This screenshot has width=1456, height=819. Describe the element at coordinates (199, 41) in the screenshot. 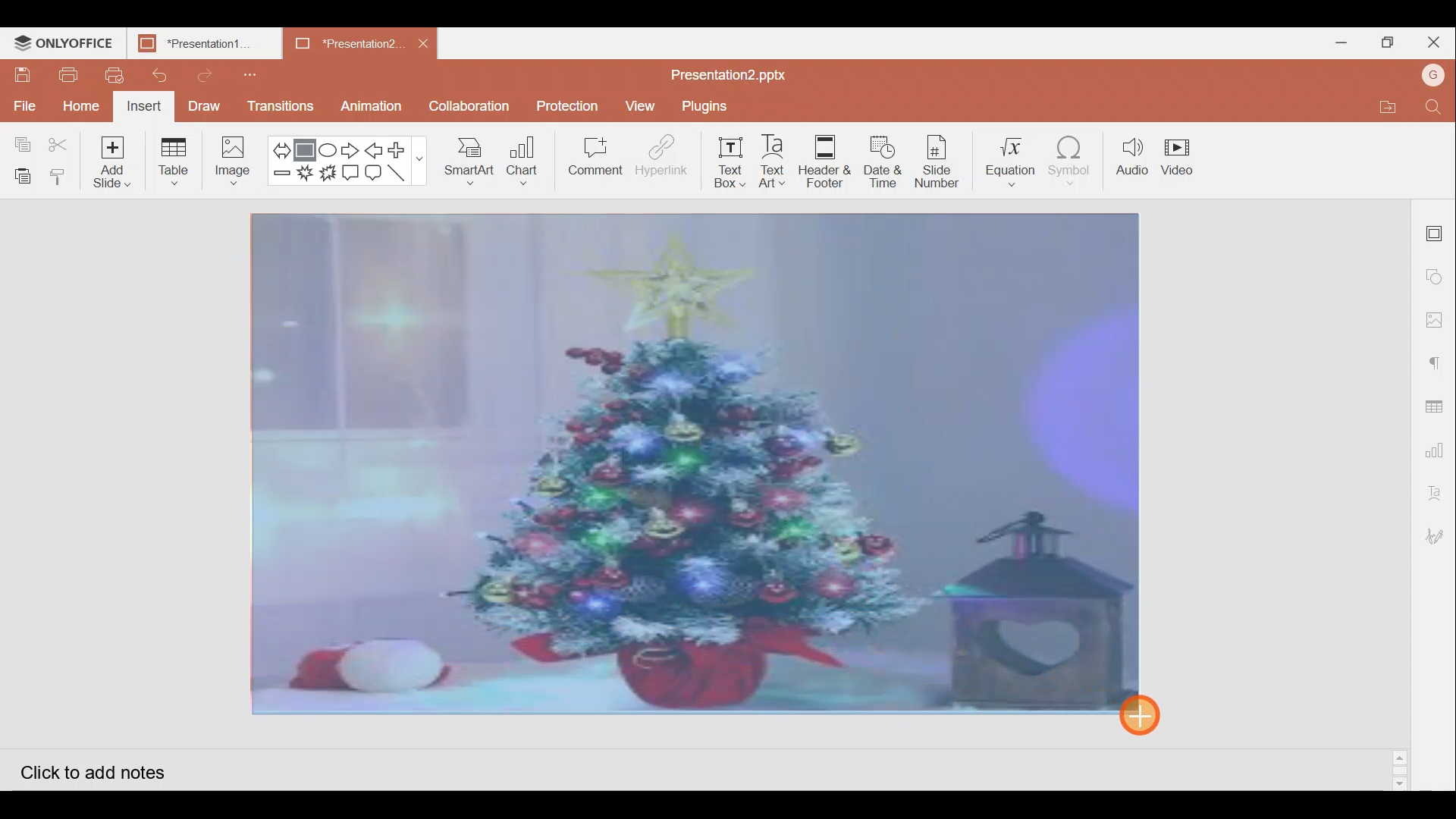

I see `Presentation1.` at that location.